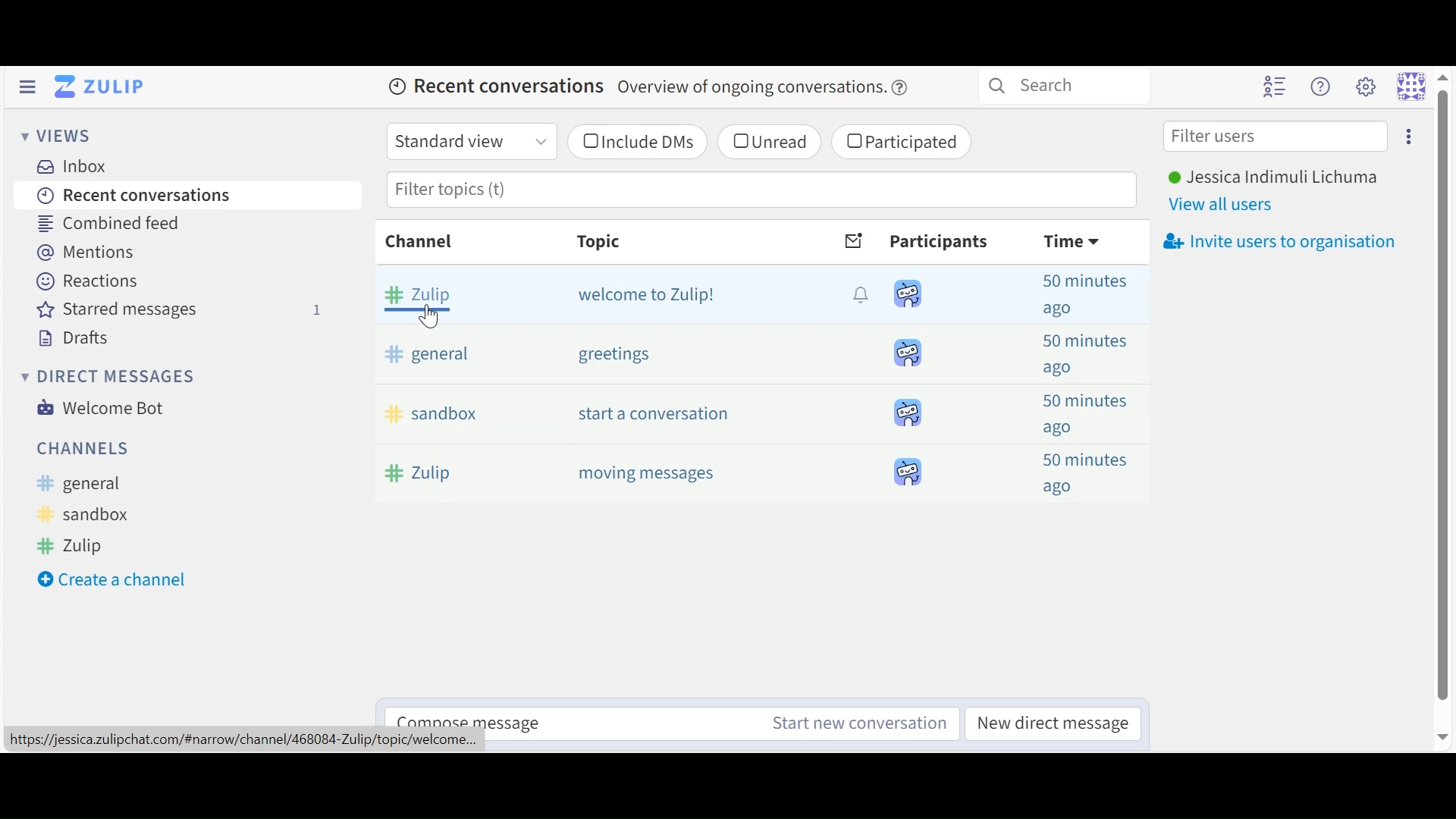 This screenshot has height=819, width=1456. What do you see at coordinates (431, 316) in the screenshot?
I see `Cursor` at bounding box center [431, 316].